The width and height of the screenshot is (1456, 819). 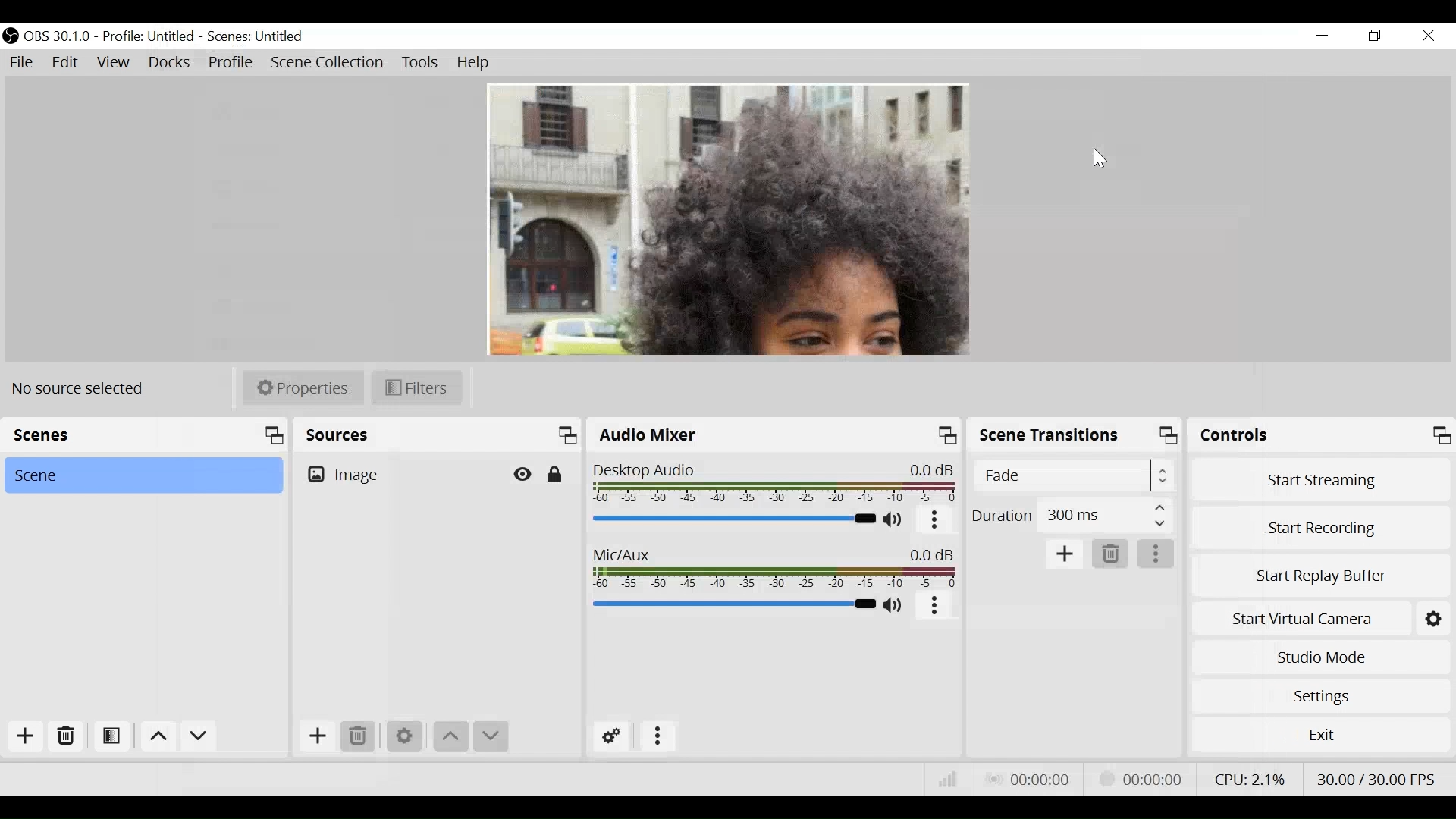 I want to click on Mic/Aux , so click(x=774, y=570).